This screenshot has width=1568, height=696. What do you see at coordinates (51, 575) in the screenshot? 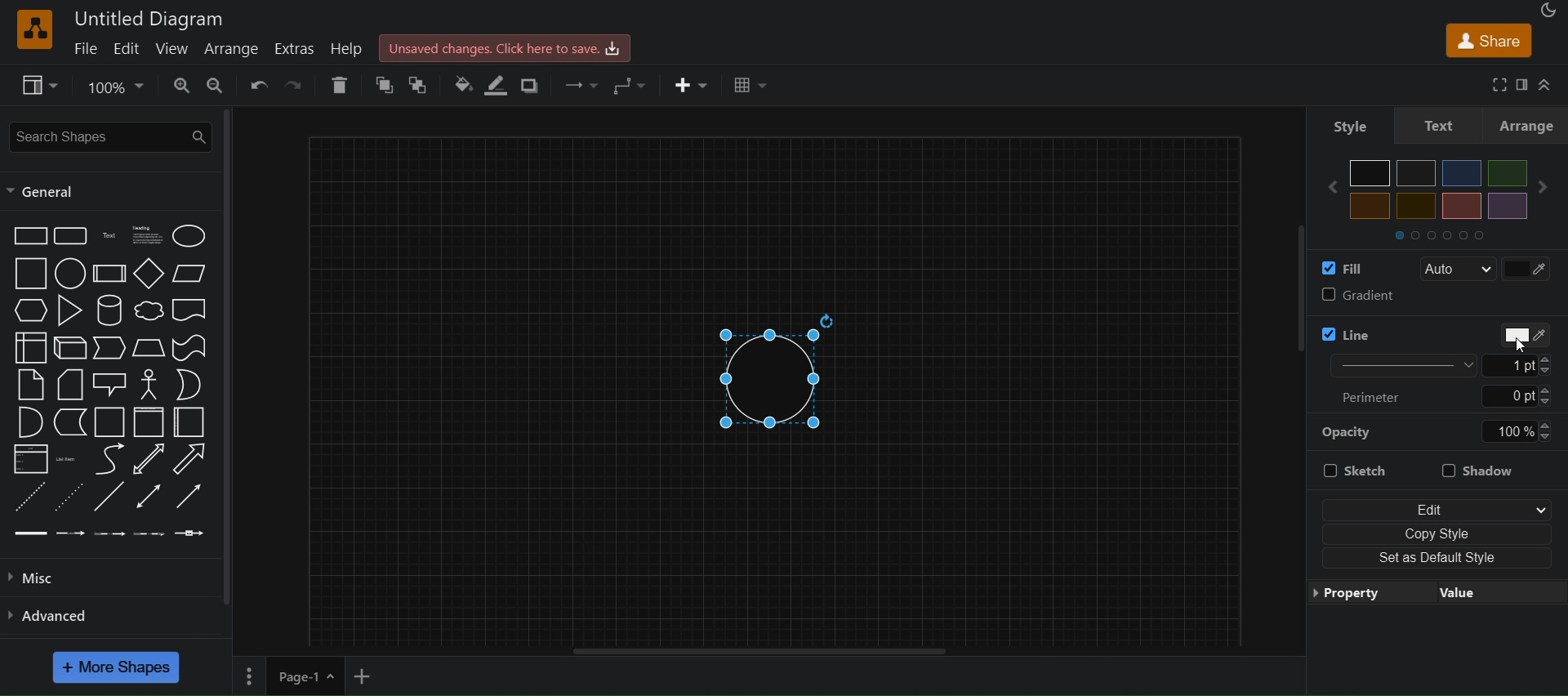
I see `misc` at bounding box center [51, 575].